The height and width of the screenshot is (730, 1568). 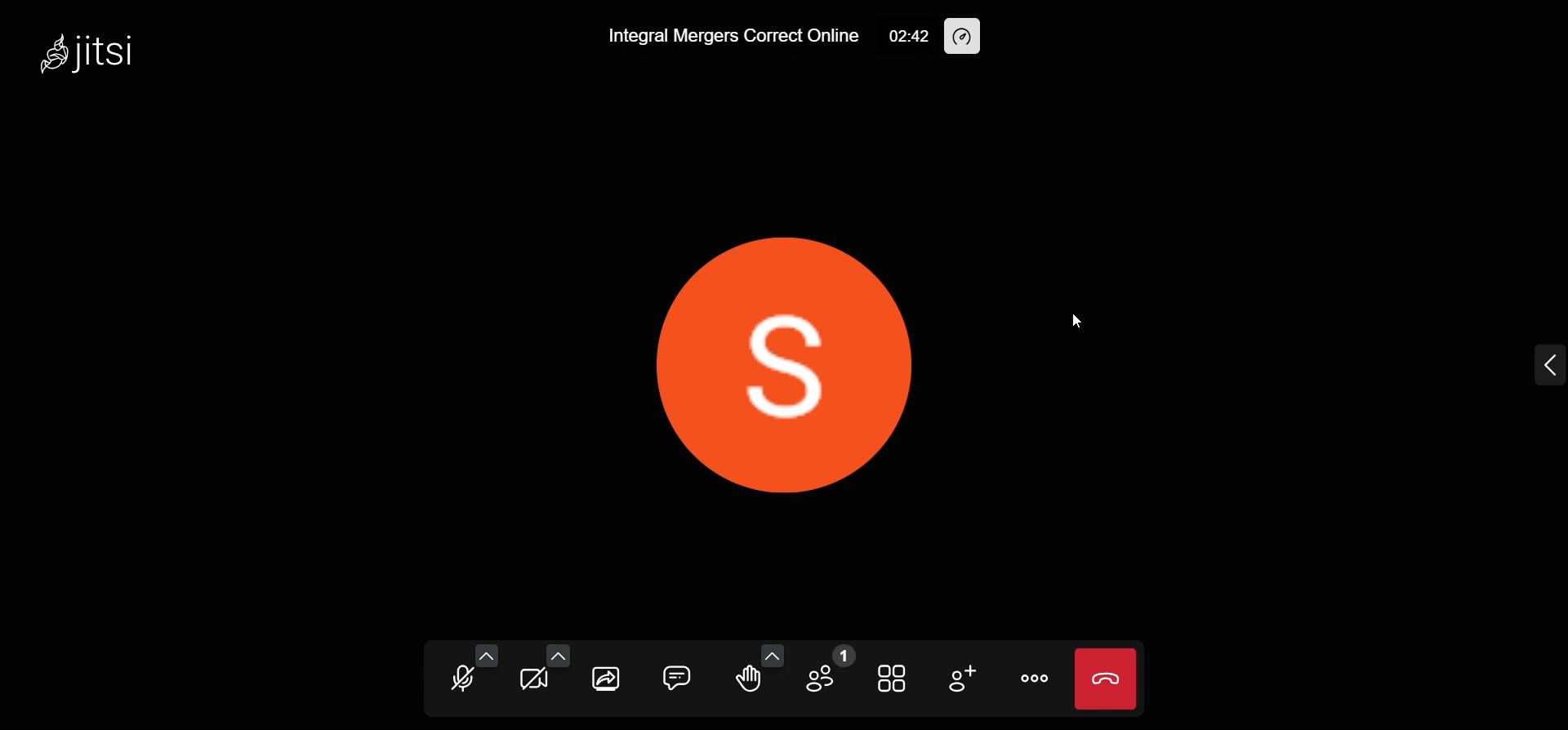 What do you see at coordinates (558, 653) in the screenshot?
I see `video setting` at bounding box center [558, 653].